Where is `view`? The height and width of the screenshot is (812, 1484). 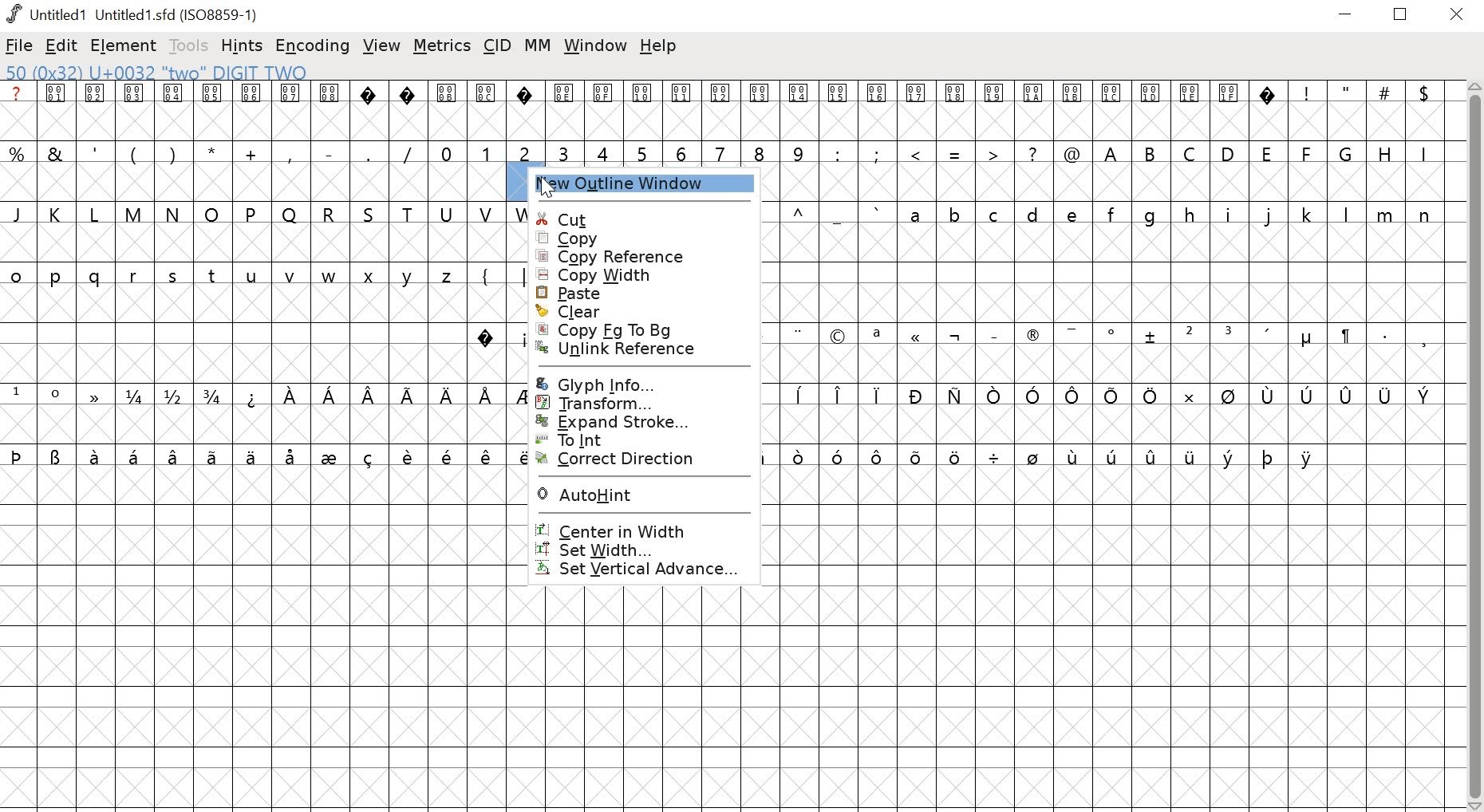 view is located at coordinates (384, 44).